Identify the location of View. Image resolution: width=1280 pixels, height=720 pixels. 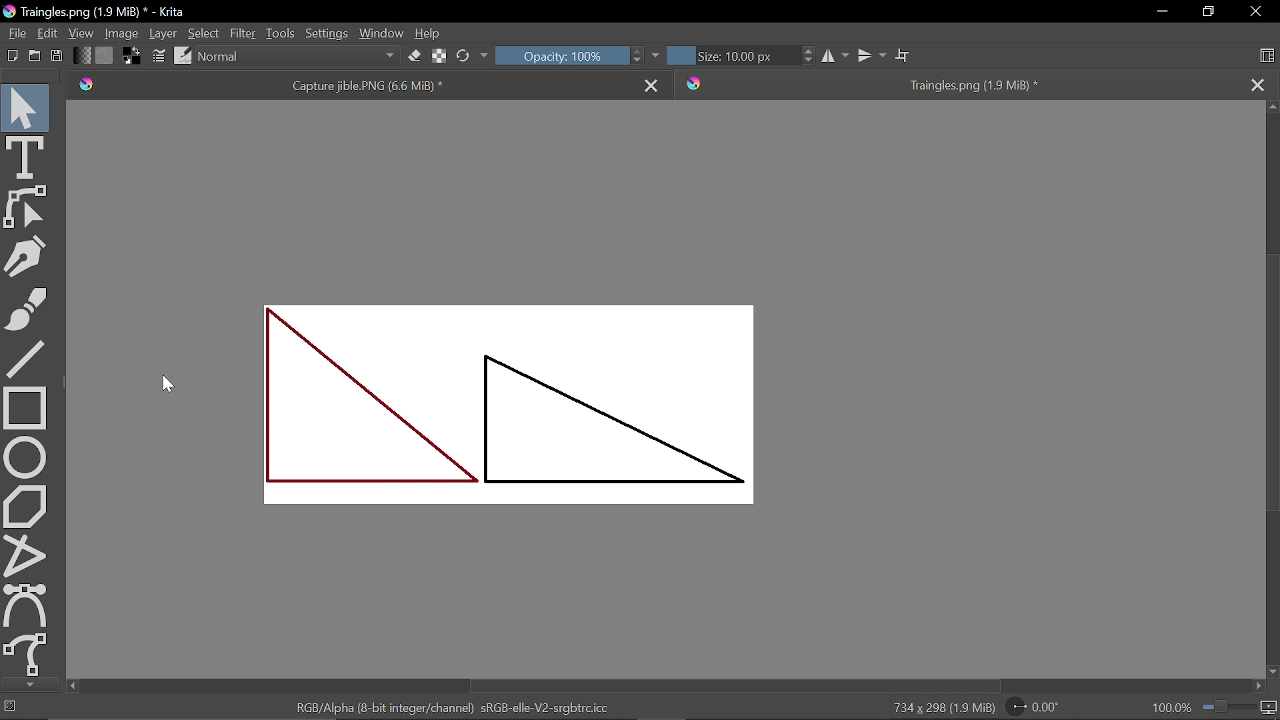
(83, 33).